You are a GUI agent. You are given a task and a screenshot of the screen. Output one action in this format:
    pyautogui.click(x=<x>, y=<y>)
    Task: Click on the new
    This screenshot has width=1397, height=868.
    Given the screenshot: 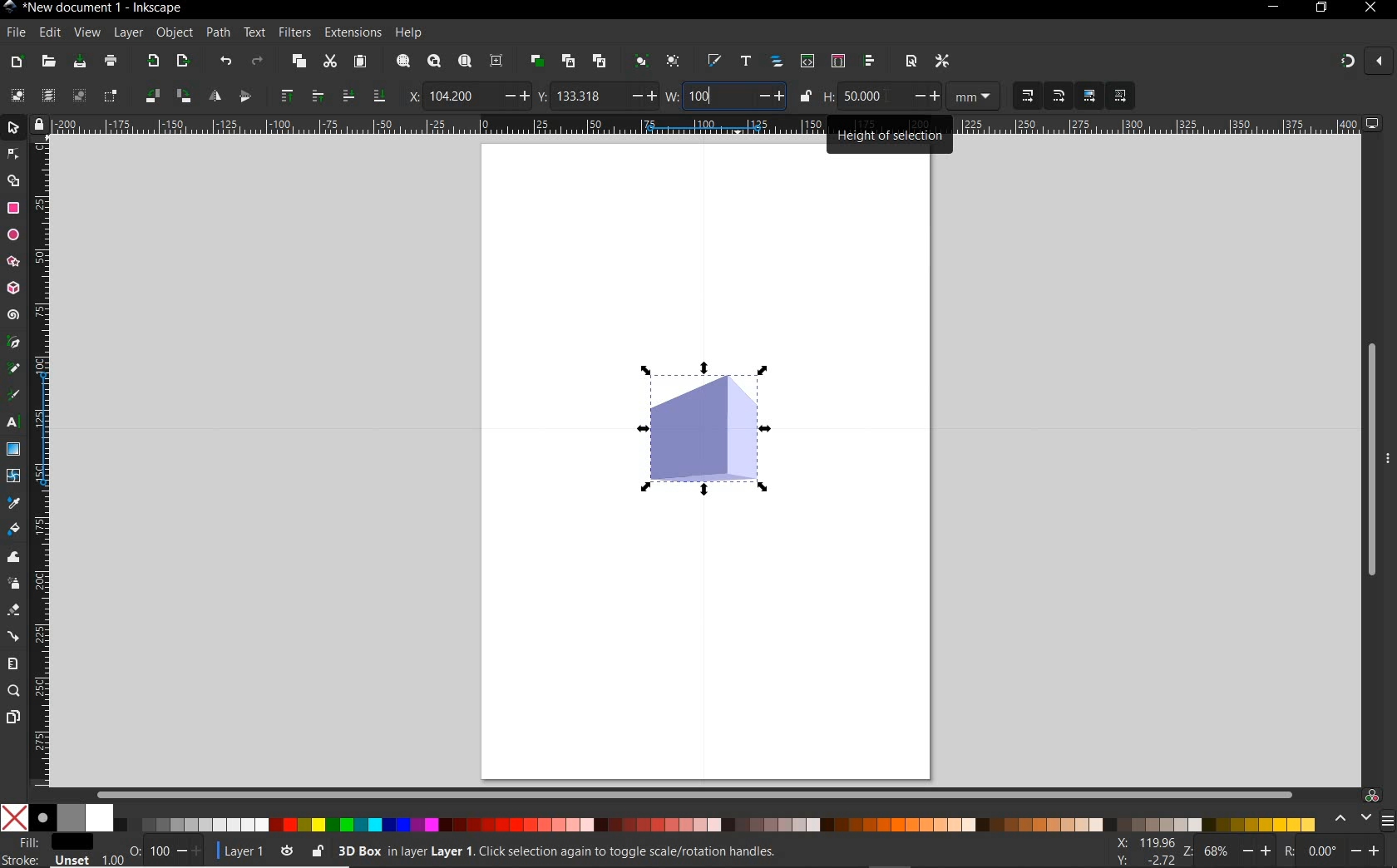 What is the action you would take?
    pyautogui.click(x=15, y=61)
    